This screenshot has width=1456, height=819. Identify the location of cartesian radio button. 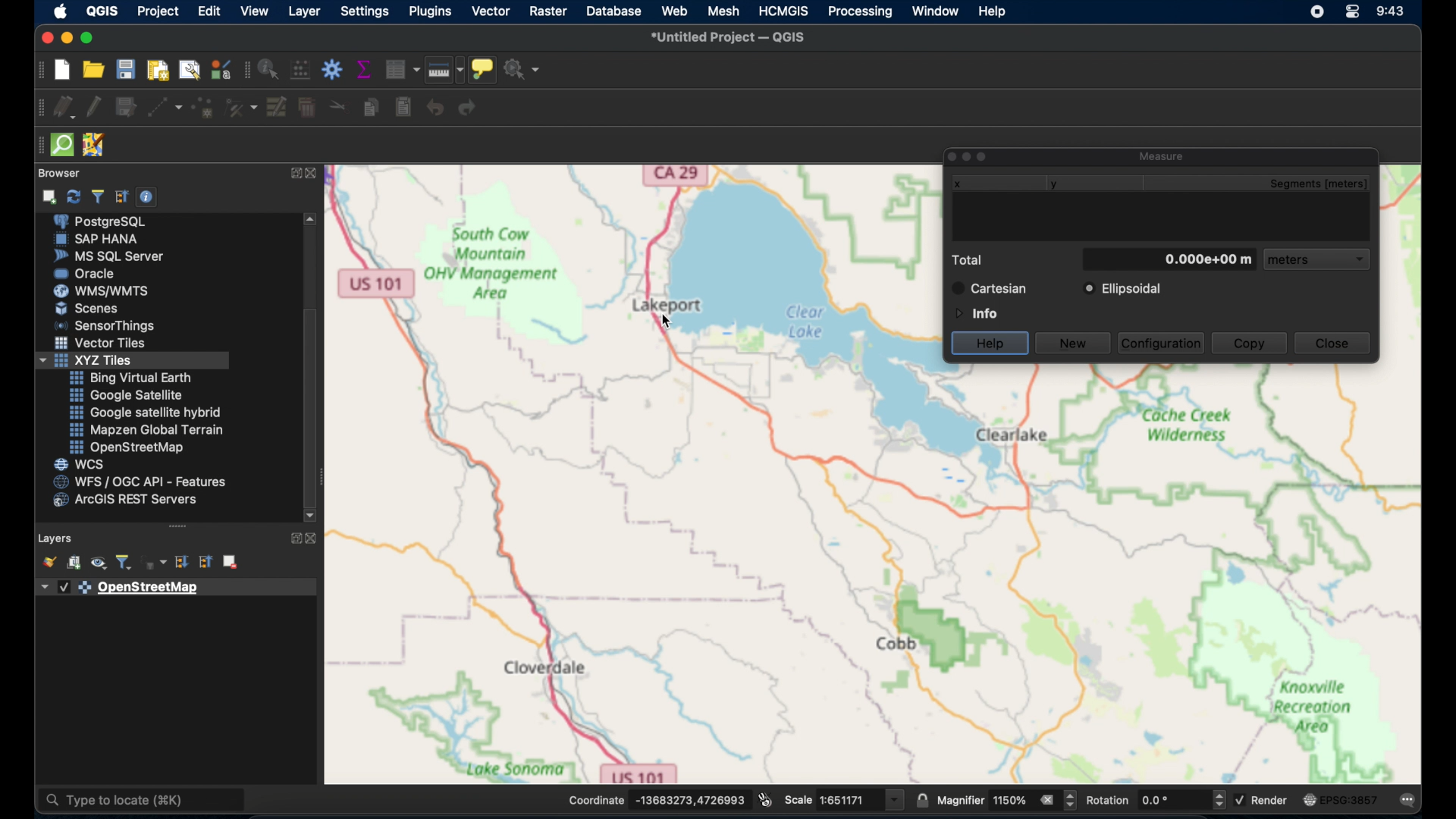
(990, 288).